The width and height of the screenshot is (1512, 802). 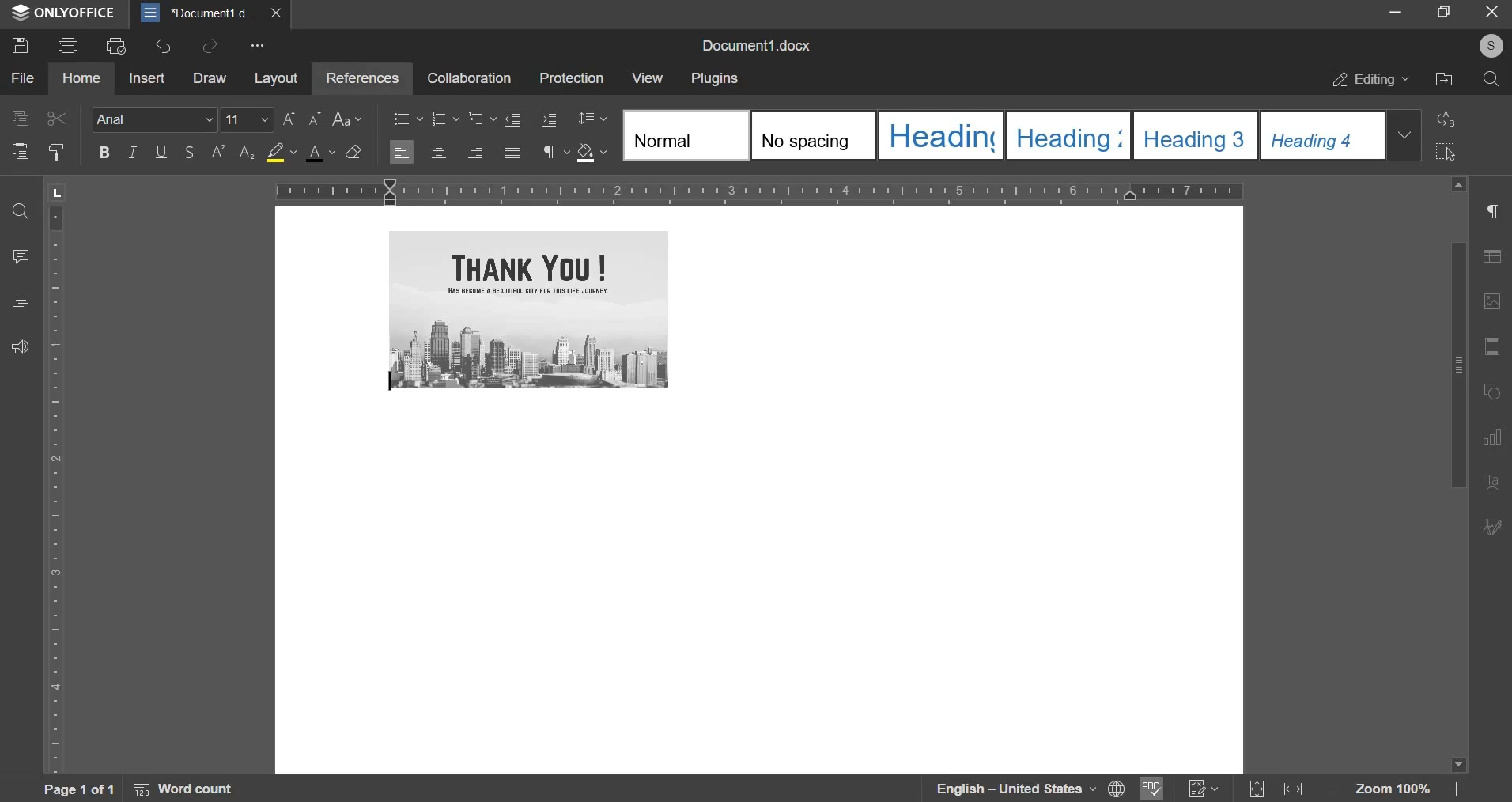 What do you see at coordinates (1491, 79) in the screenshot?
I see `search` at bounding box center [1491, 79].